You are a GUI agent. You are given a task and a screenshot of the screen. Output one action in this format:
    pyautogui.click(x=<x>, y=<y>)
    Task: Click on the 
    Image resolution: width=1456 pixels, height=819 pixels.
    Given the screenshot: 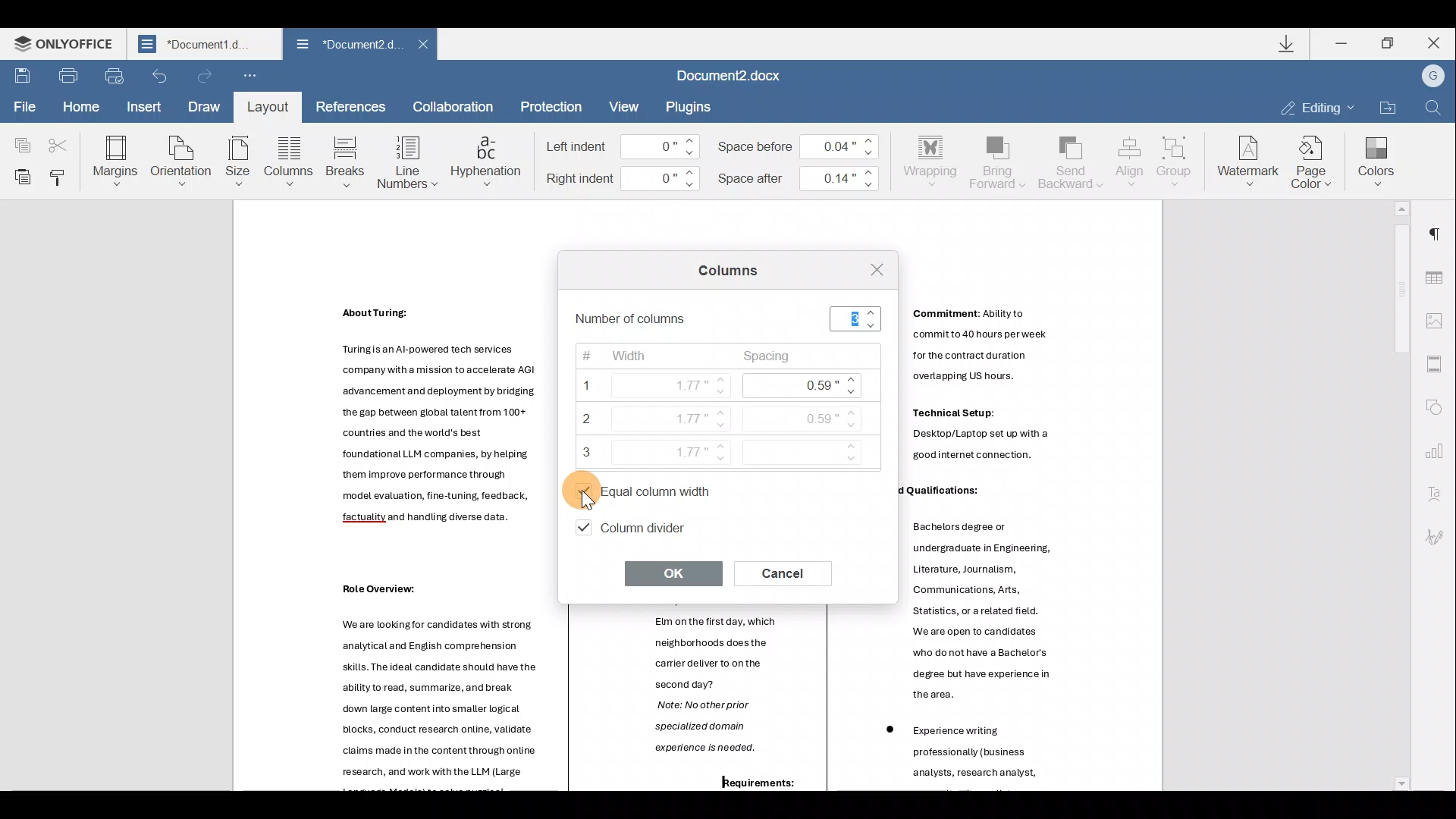 What is the action you would take?
    pyautogui.click(x=979, y=432)
    